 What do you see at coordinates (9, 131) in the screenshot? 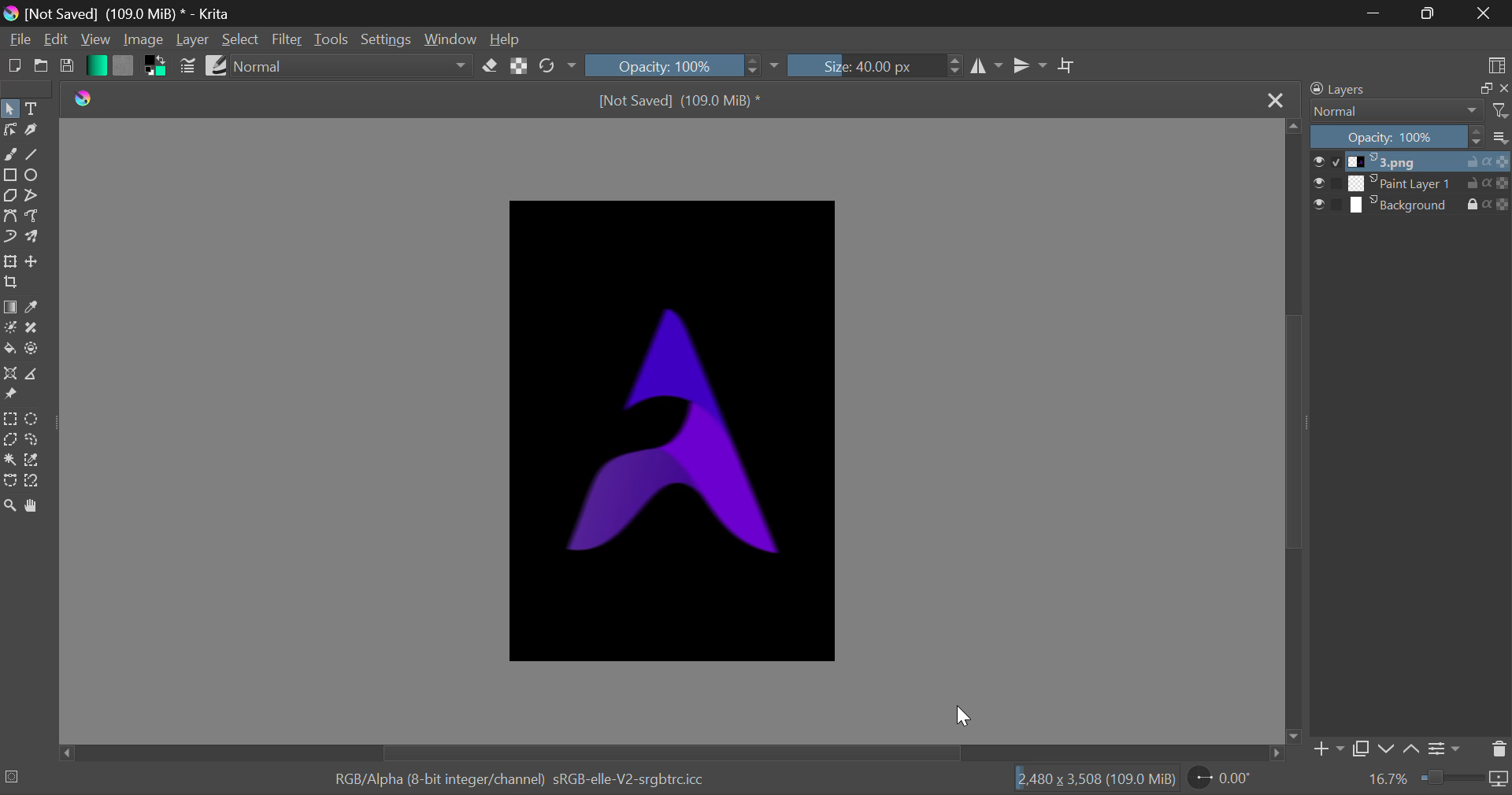
I see `Edit Shapes` at bounding box center [9, 131].